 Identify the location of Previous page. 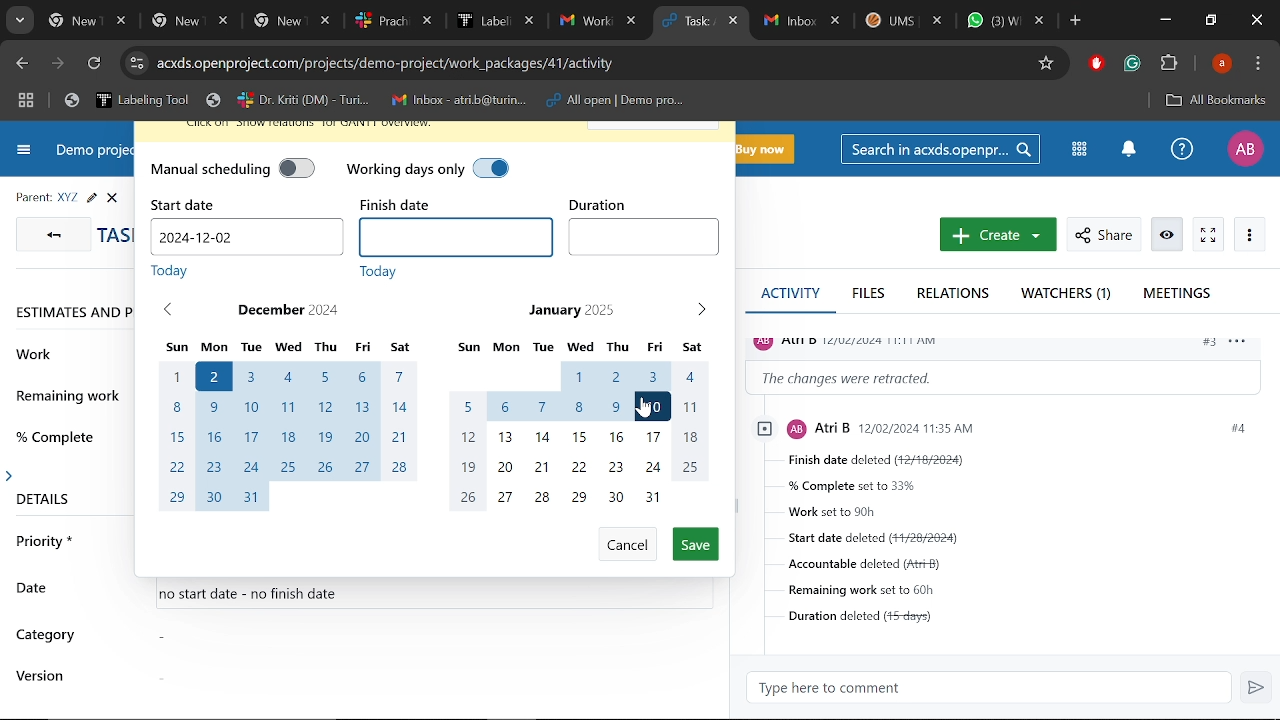
(23, 64).